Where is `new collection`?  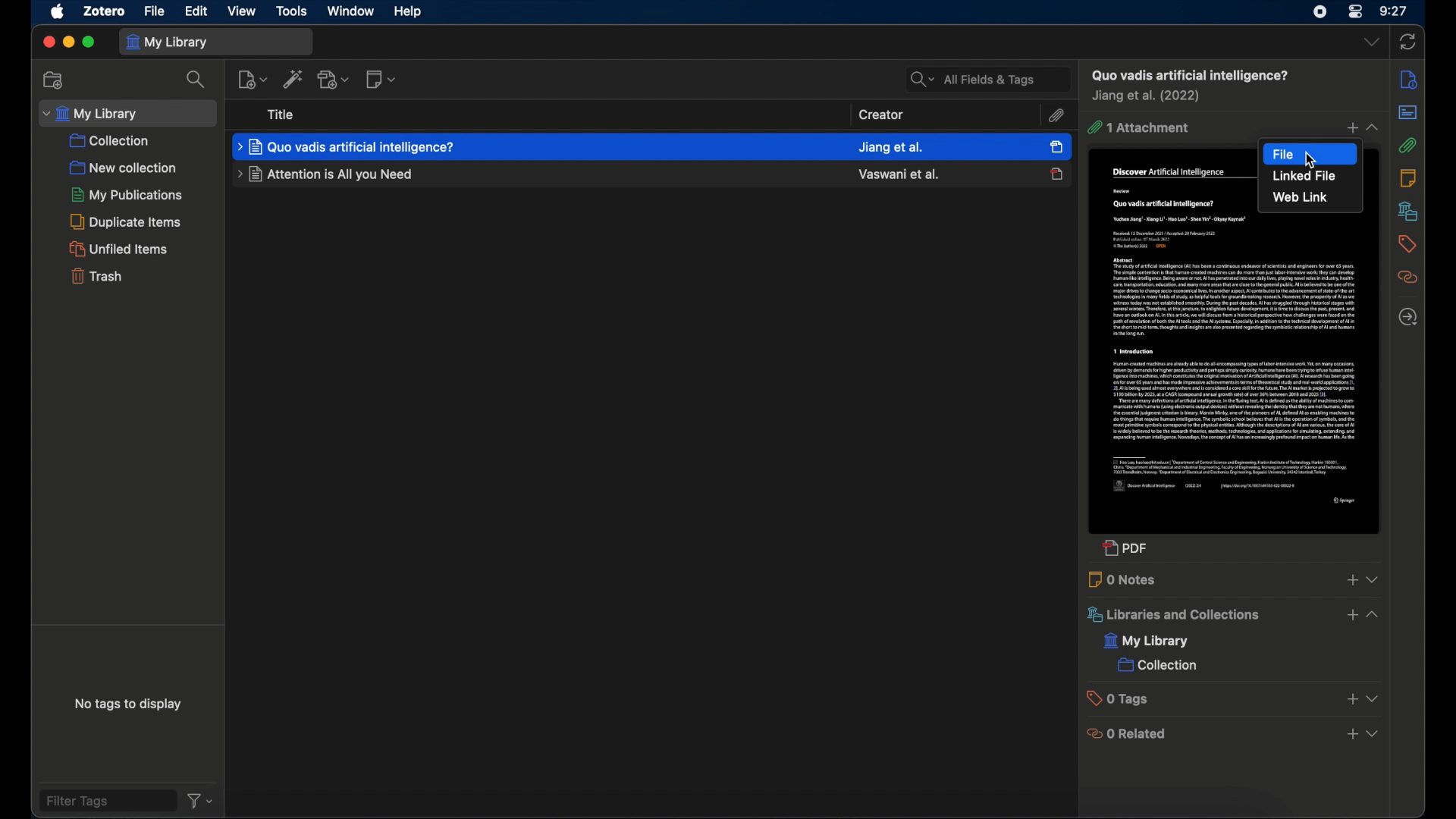 new collection is located at coordinates (124, 167).